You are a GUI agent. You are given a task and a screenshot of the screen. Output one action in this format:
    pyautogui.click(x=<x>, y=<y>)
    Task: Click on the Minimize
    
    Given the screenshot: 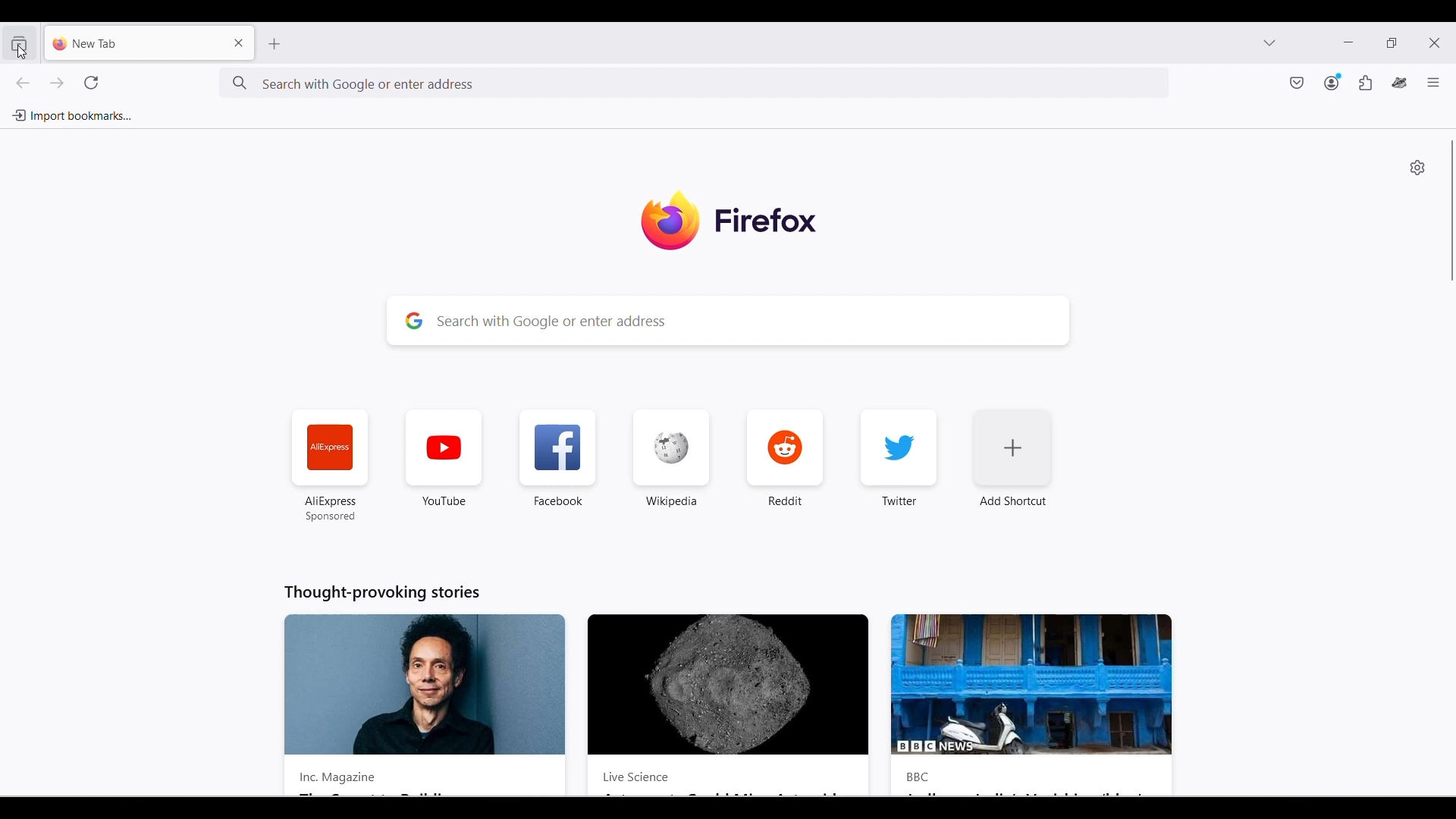 What is the action you would take?
    pyautogui.click(x=1348, y=42)
    